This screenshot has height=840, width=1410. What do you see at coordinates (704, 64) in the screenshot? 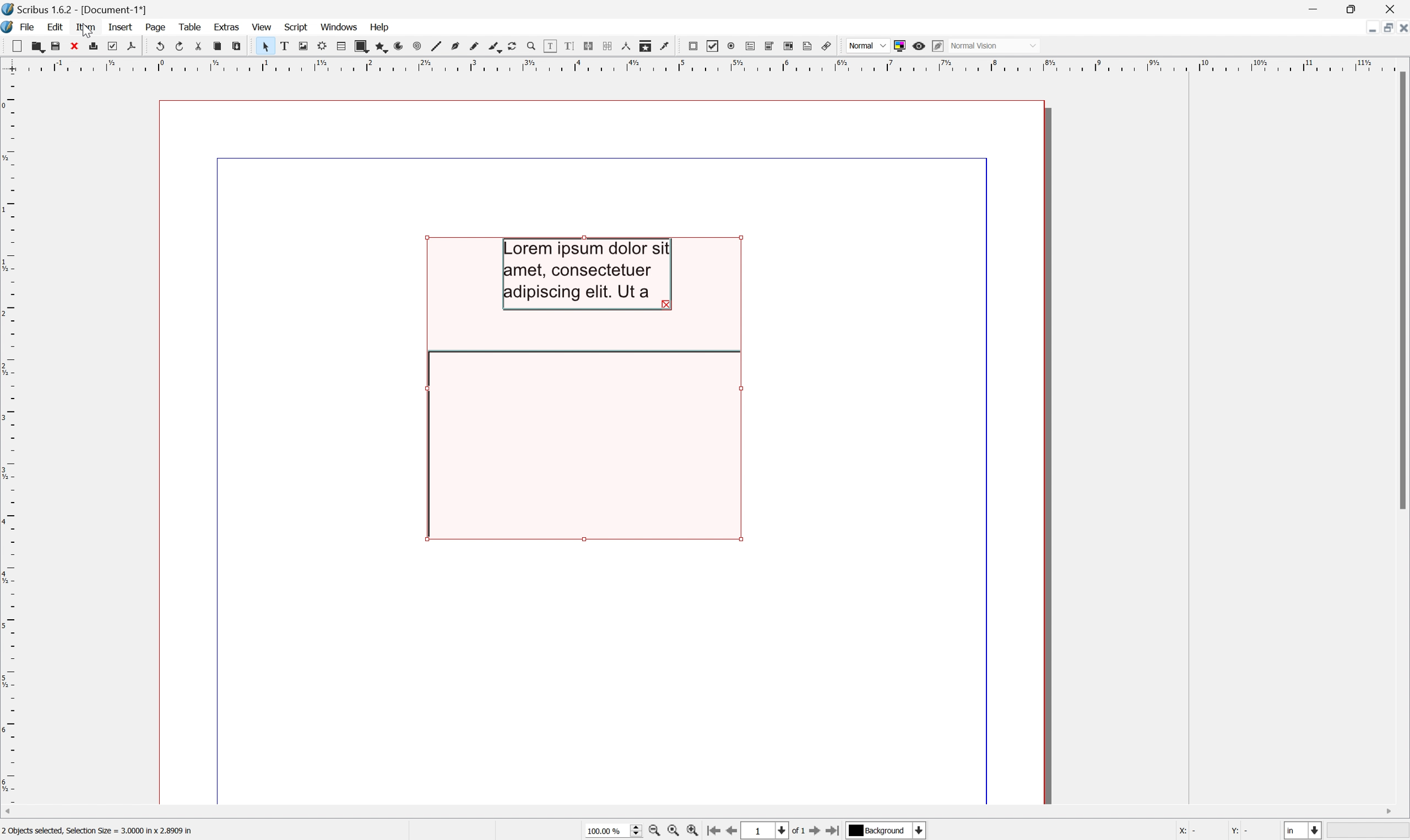
I see `Scale` at bounding box center [704, 64].